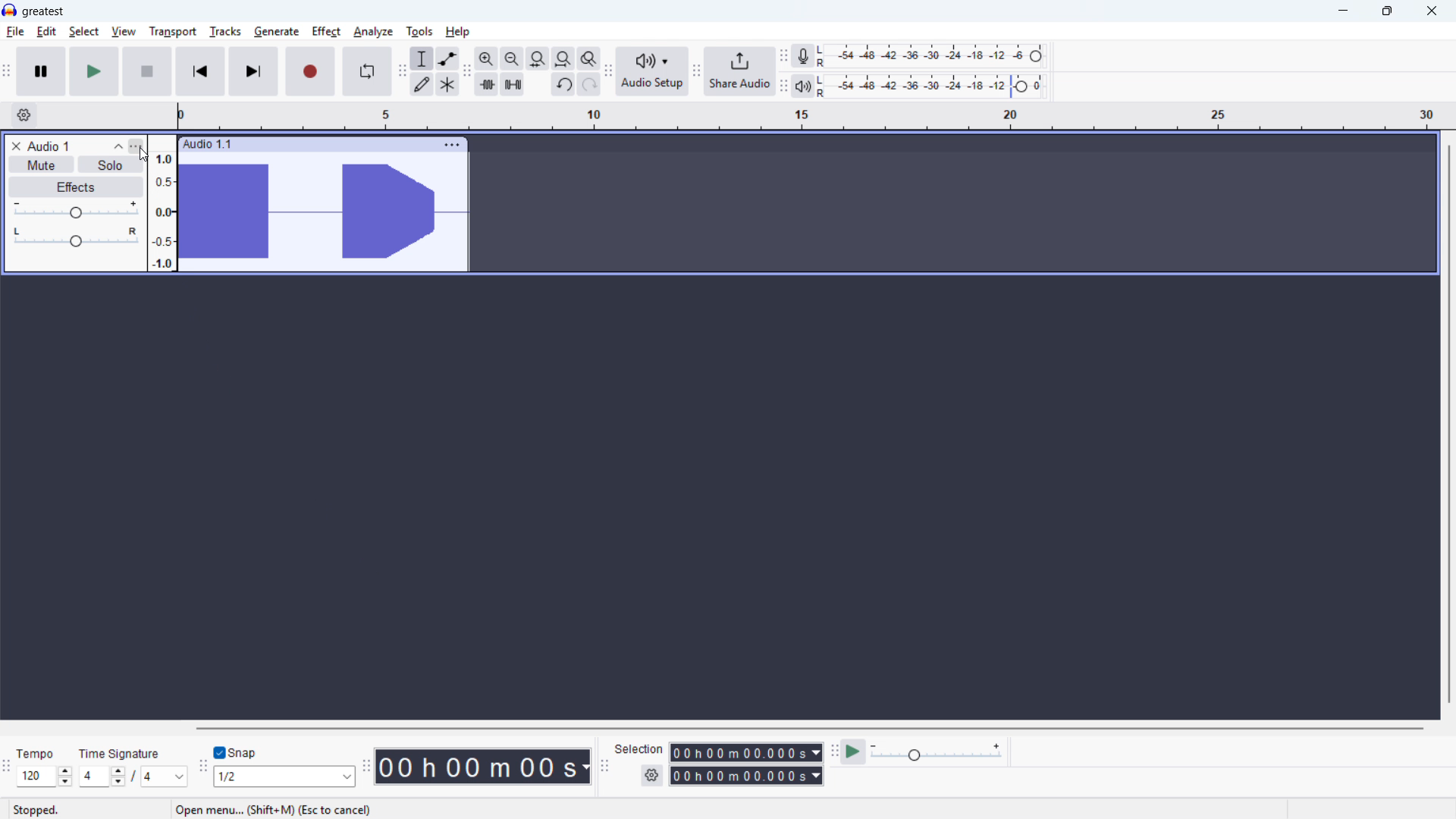 The width and height of the screenshot is (1456, 819). I want to click on playback meter, so click(802, 86).